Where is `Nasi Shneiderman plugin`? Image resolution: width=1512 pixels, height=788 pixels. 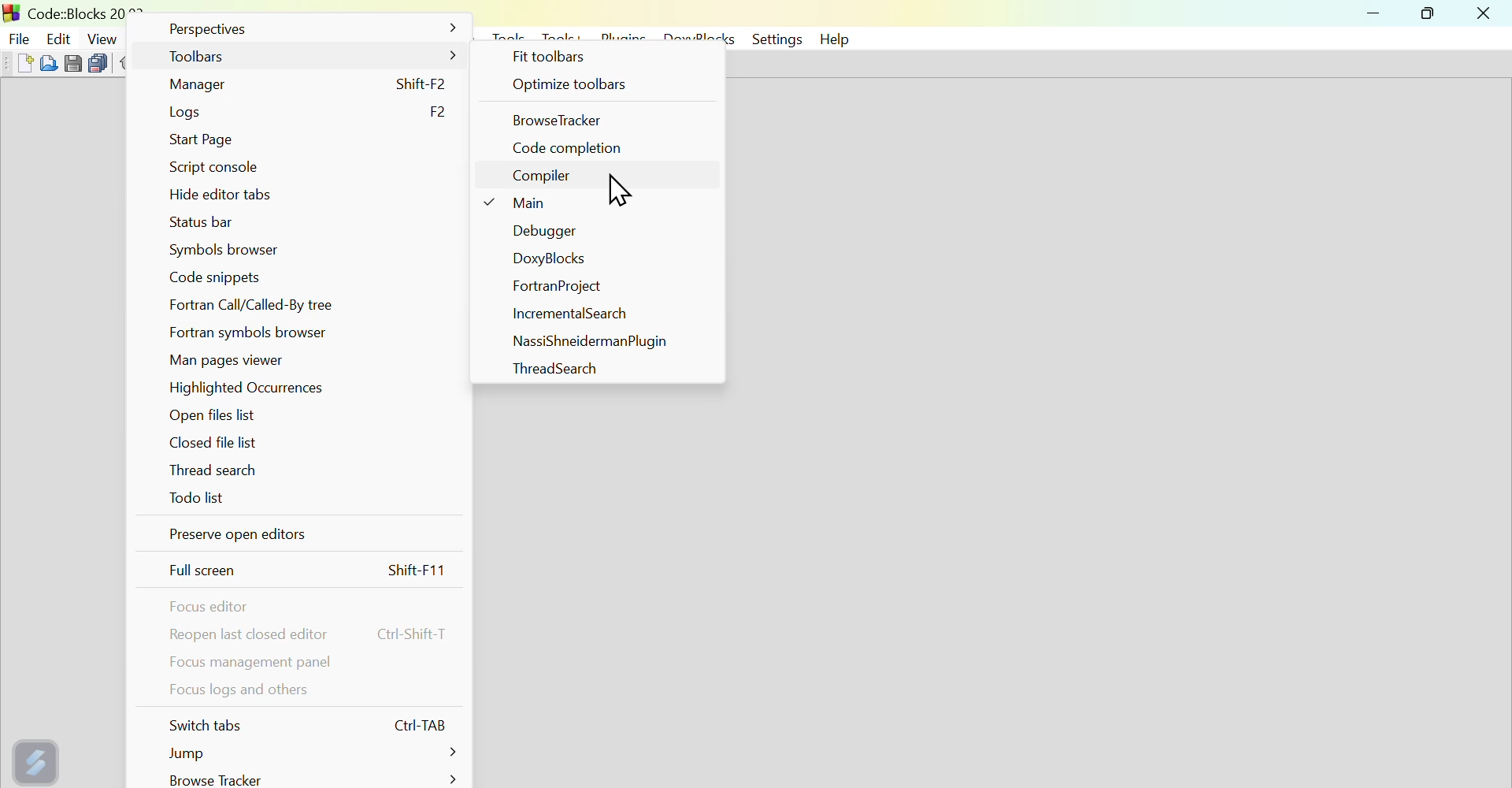
Nasi Shneiderman plugin is located at coordinates (587, 340).